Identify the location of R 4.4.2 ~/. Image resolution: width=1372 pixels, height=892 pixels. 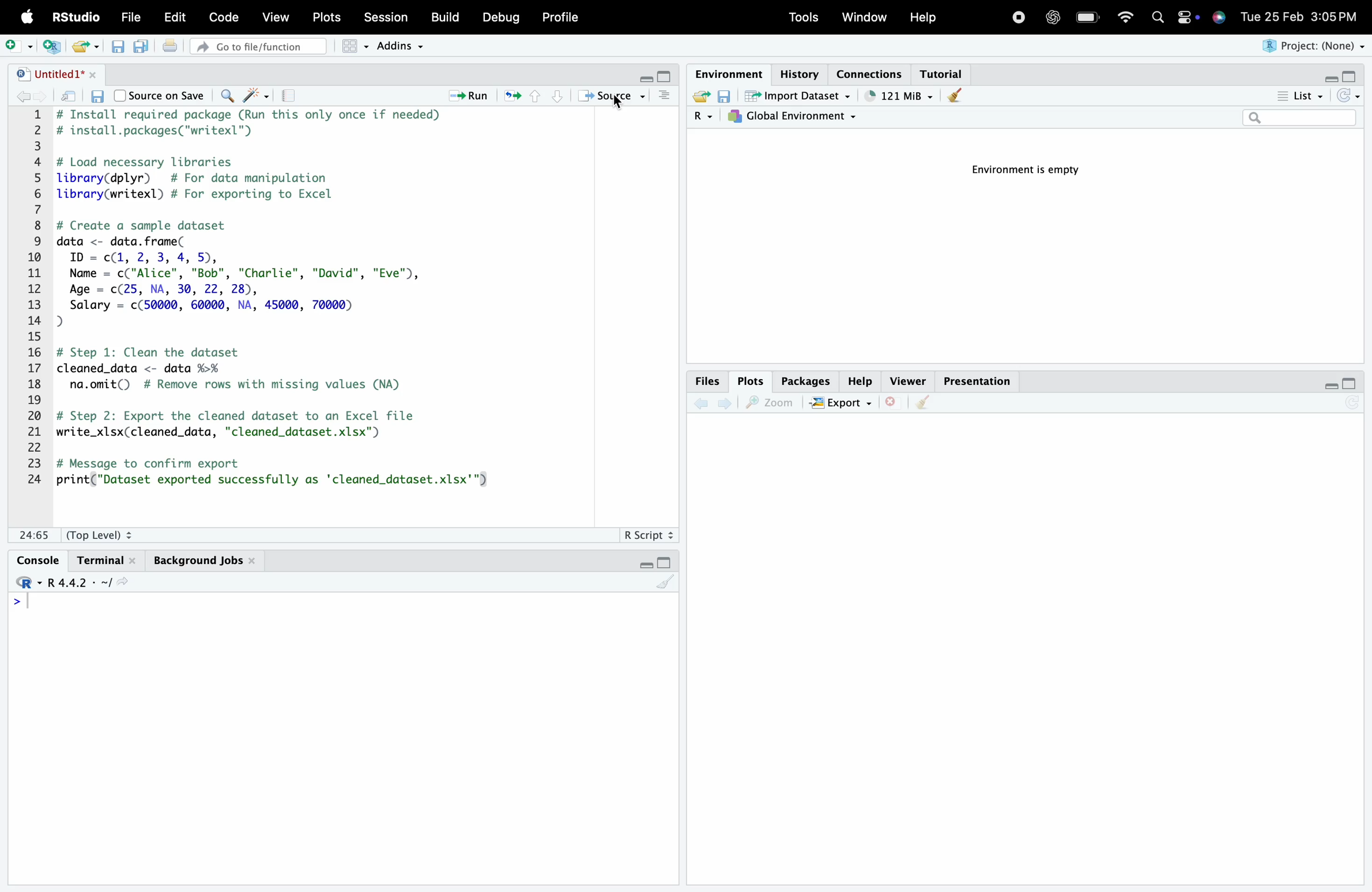
(81, 581).